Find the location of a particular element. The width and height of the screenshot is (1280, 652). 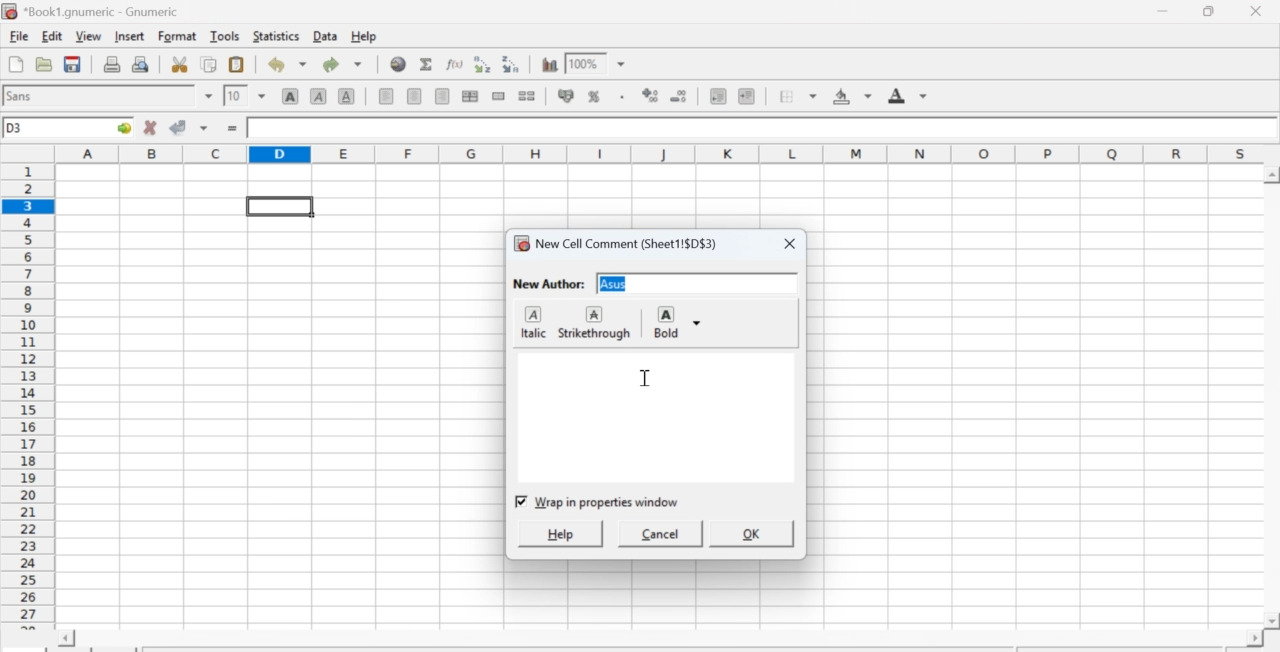

ok is located at coordinates (754, 534).